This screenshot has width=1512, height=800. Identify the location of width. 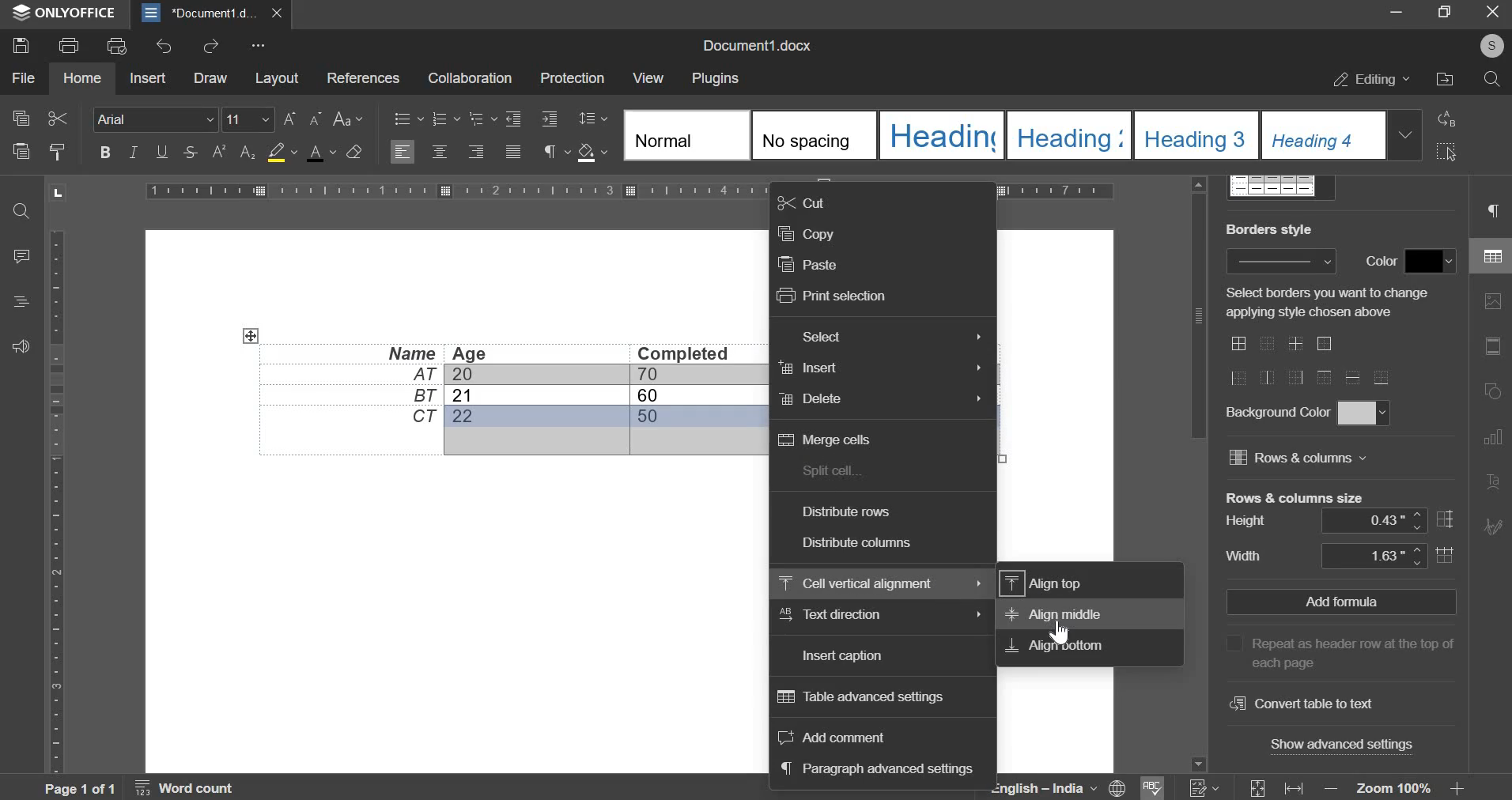
(1389, 556).